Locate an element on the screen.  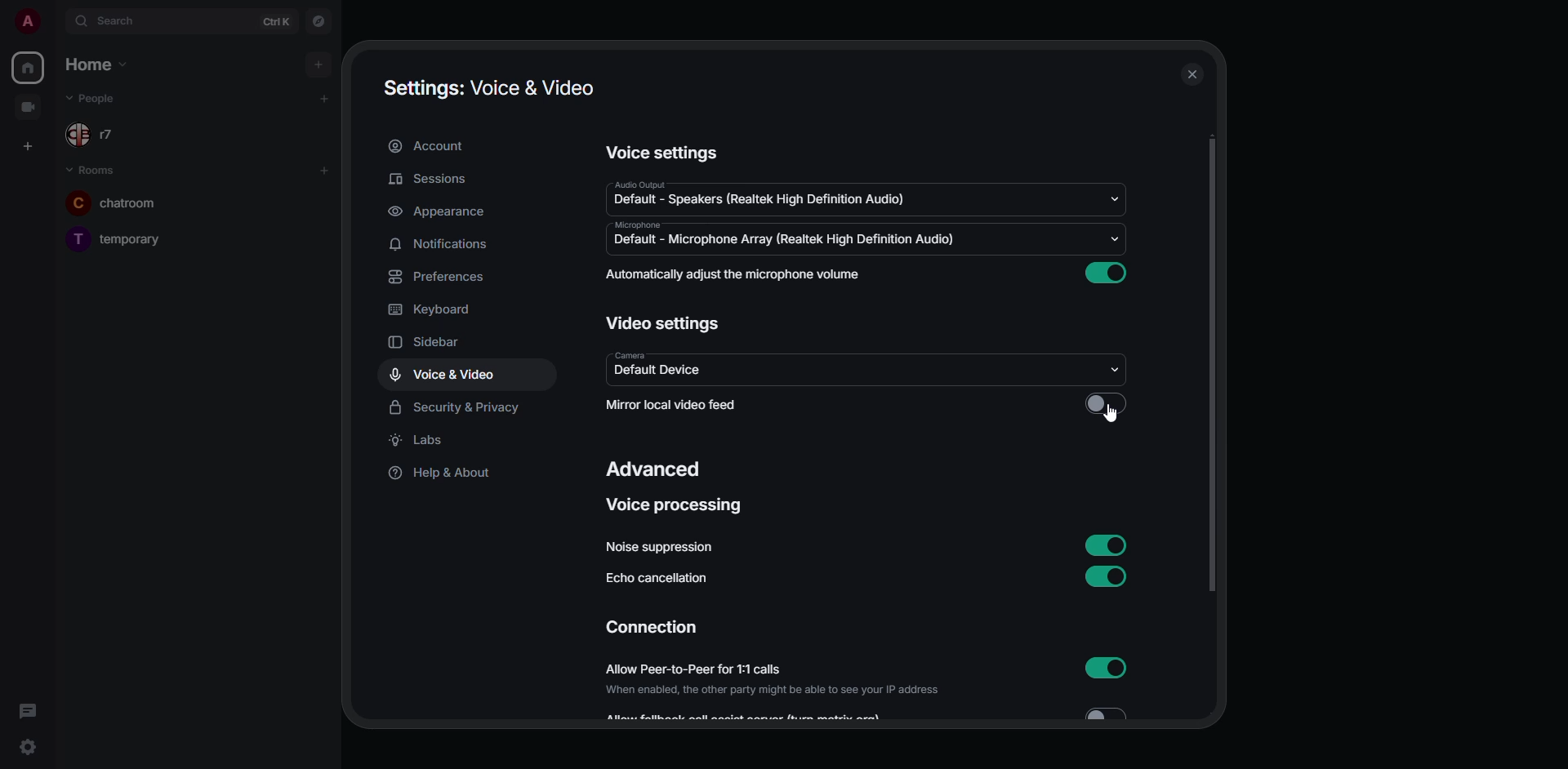
video settings is located at coordinates (663, 326).